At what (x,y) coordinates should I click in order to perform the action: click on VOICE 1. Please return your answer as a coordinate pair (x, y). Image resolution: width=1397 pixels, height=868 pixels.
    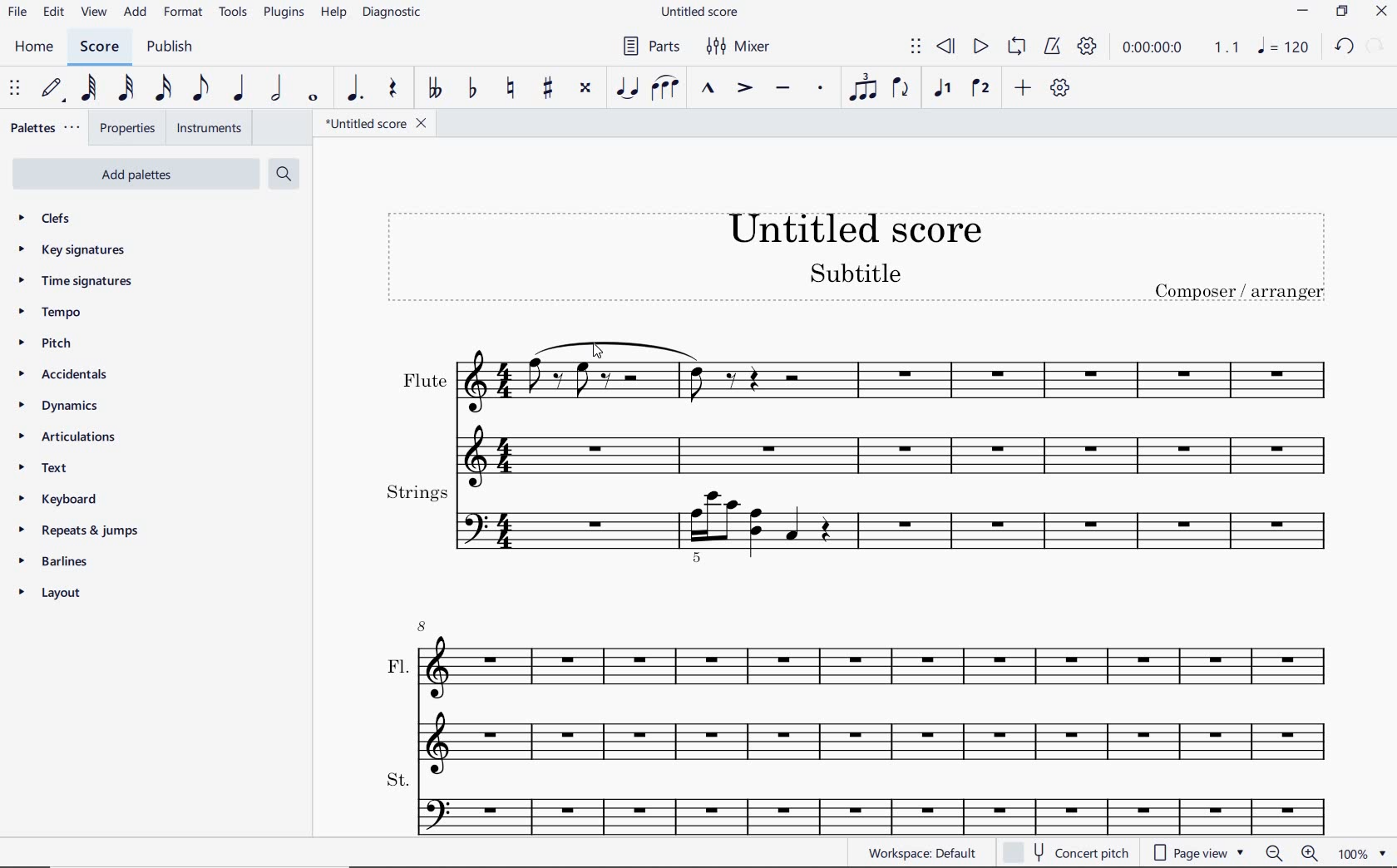
    Looking at the image, I should click on (944, 91).